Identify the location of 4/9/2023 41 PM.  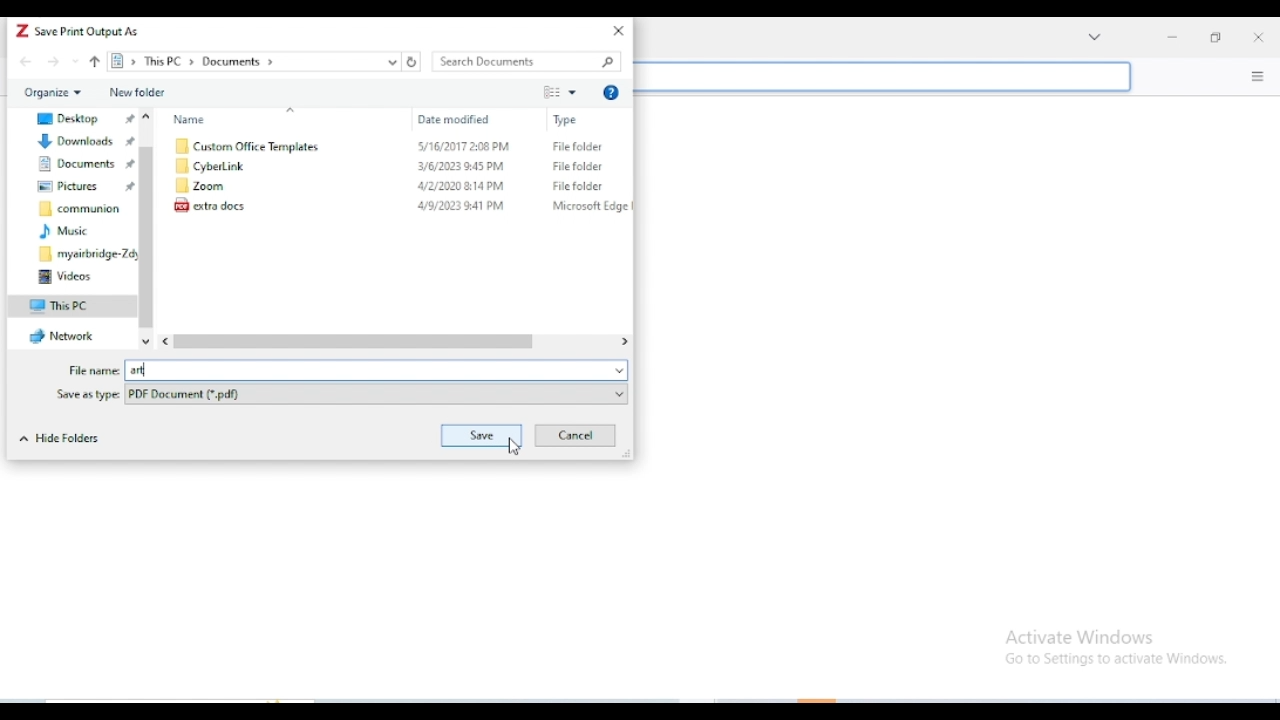
(461, 206).